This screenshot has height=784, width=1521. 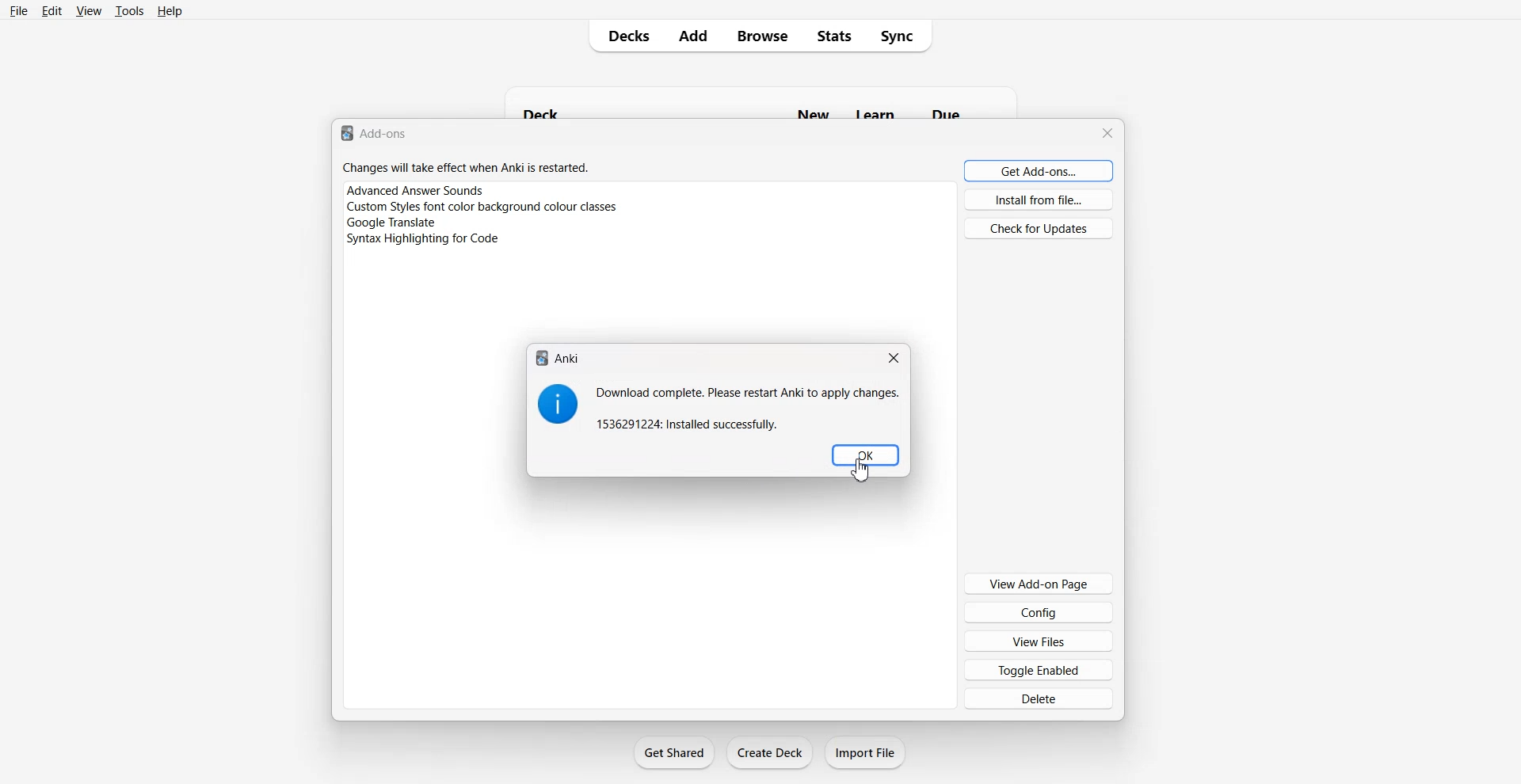 What do you see at coordinates (688, 424) in the screenshot?
I see `installed` at bounding box center [688, 424].